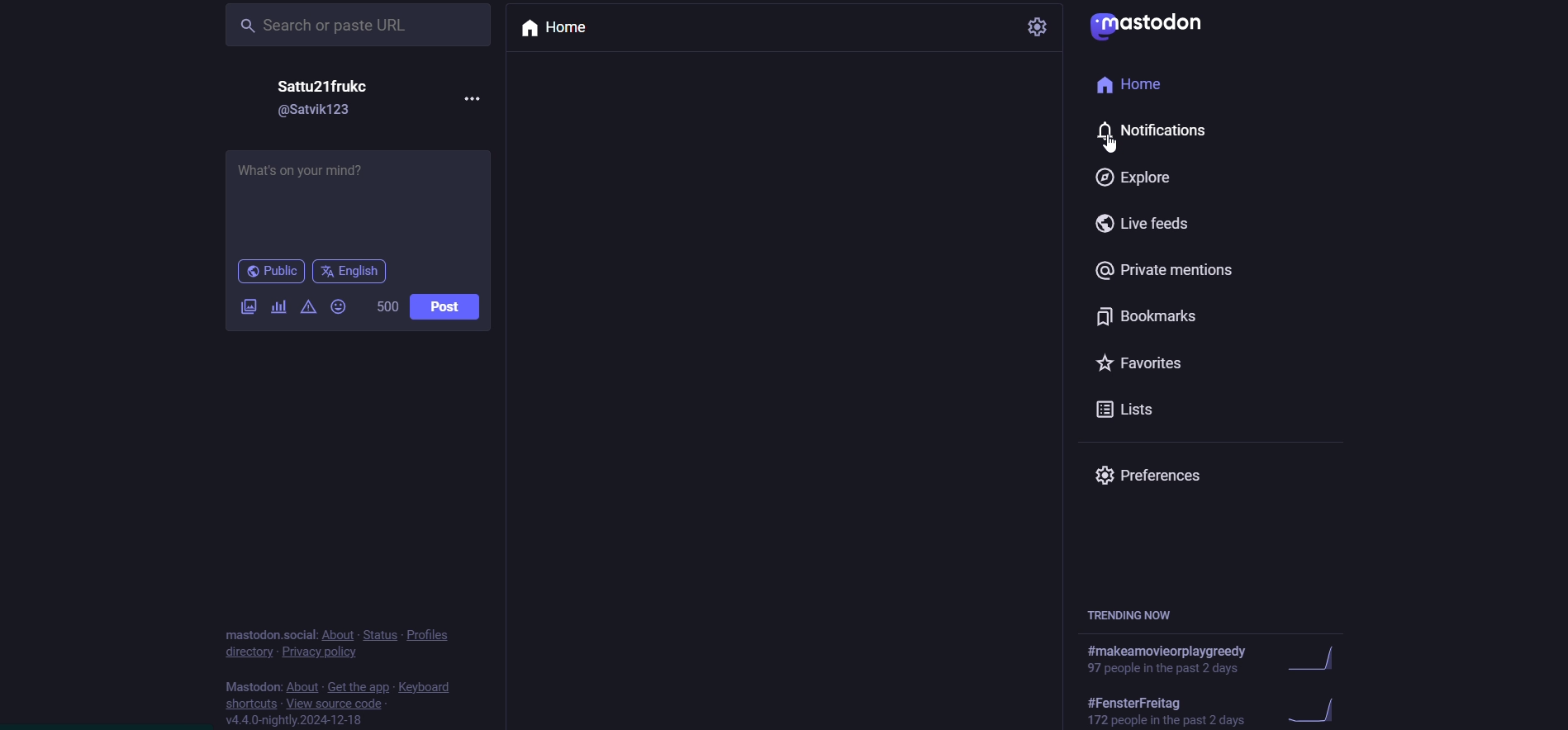 The height and width of the screenshot is (730, 1568). I want to click on warning message, so click(310, 306).